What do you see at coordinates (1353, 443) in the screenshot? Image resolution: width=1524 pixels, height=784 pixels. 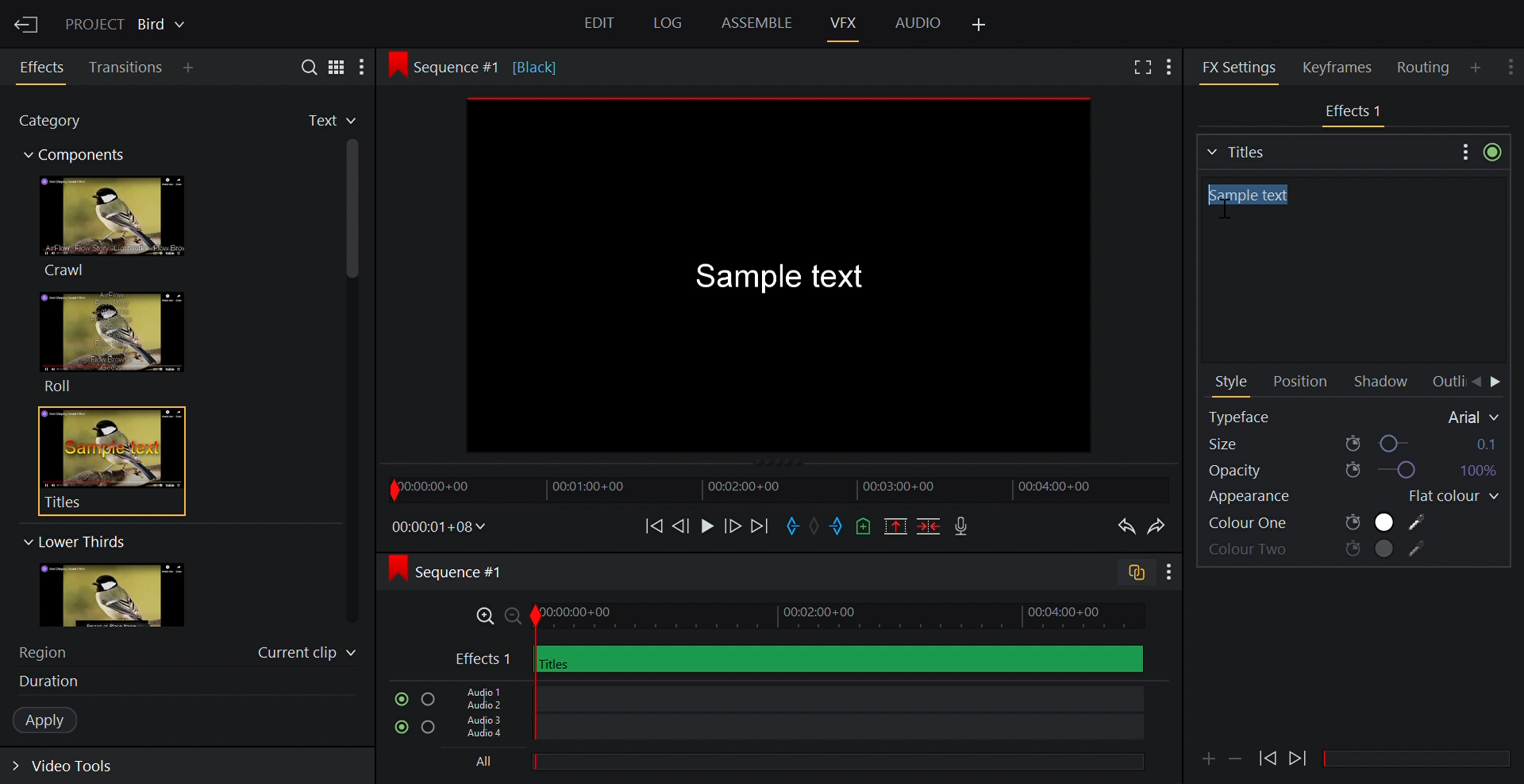 I see `Size` at bounding box center [1353, 443].